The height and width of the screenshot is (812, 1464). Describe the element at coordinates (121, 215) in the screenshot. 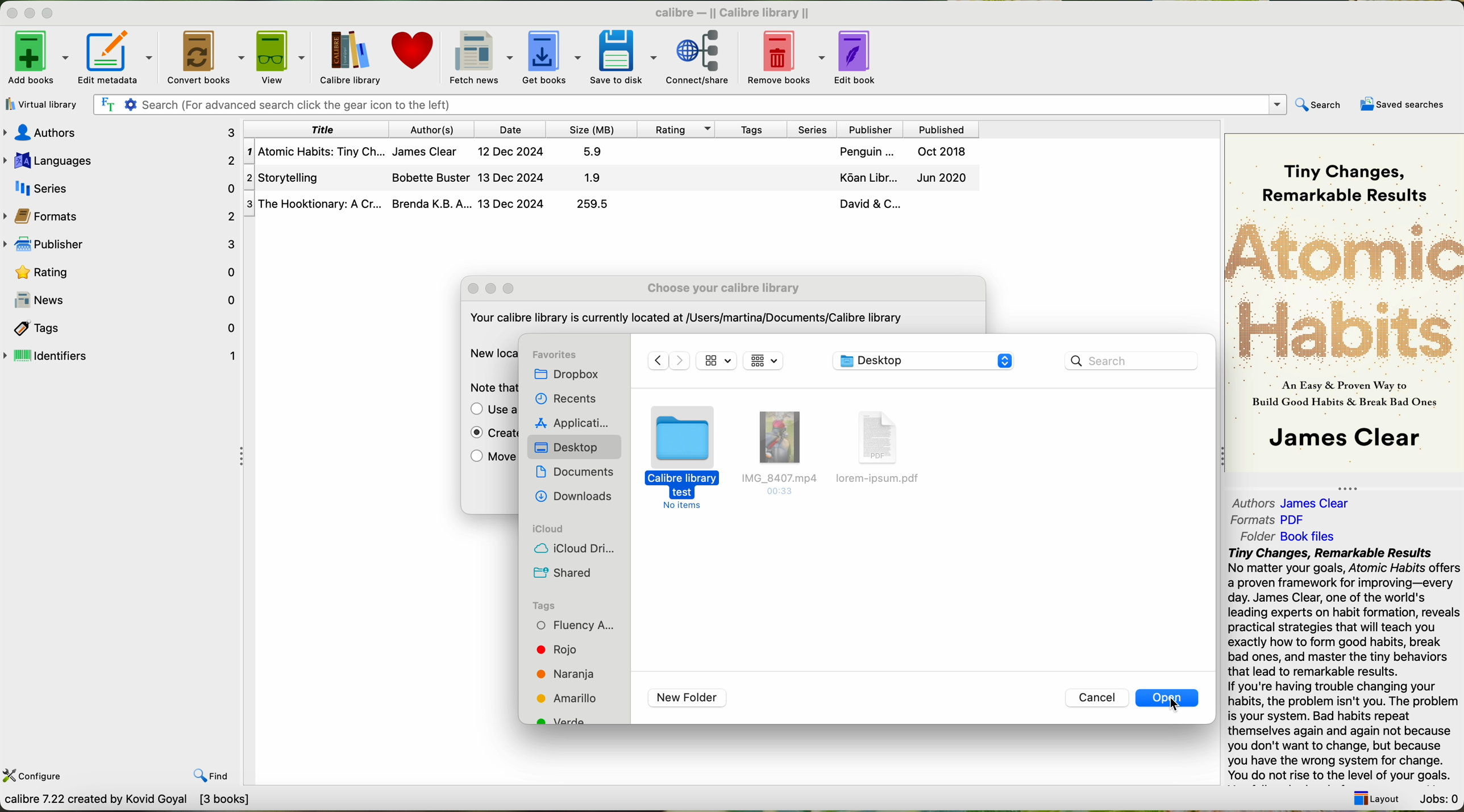

I see `formats` at that location.